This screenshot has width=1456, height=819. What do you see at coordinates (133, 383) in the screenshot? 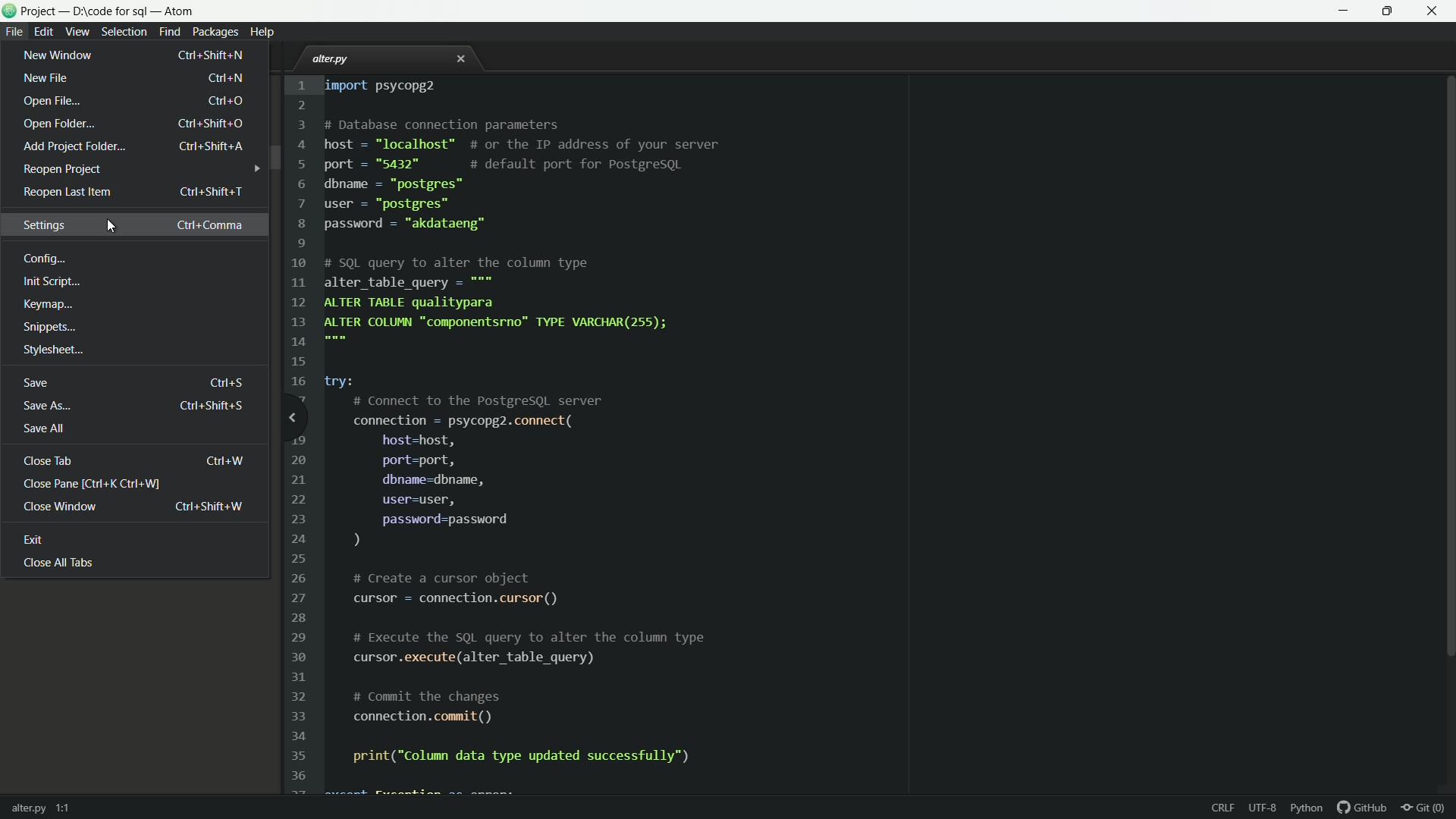
I see `save` at bounding box center [133, 383].